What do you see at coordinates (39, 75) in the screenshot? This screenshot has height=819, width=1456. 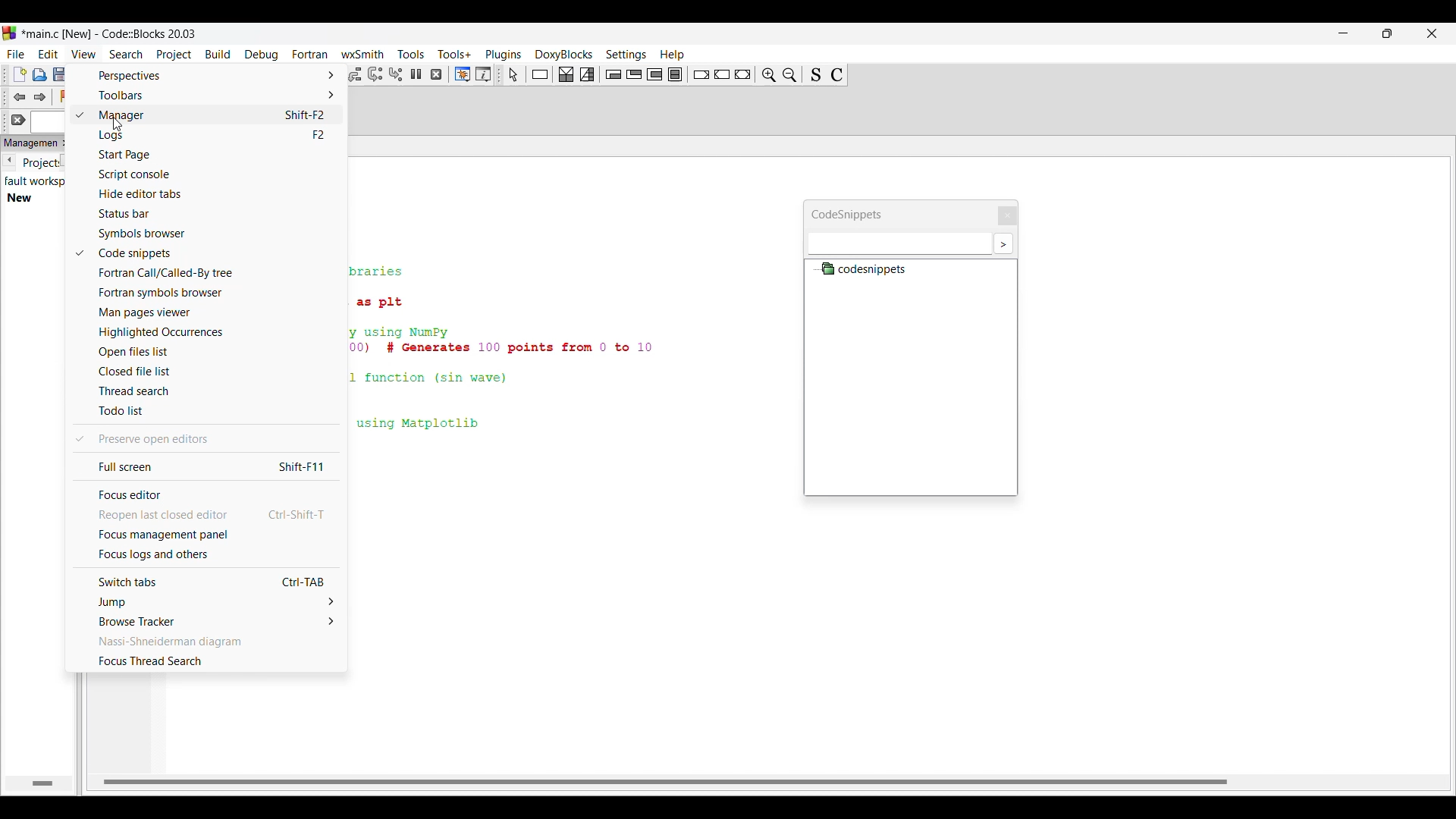 I see `Open` at bounding box center [39, 75].